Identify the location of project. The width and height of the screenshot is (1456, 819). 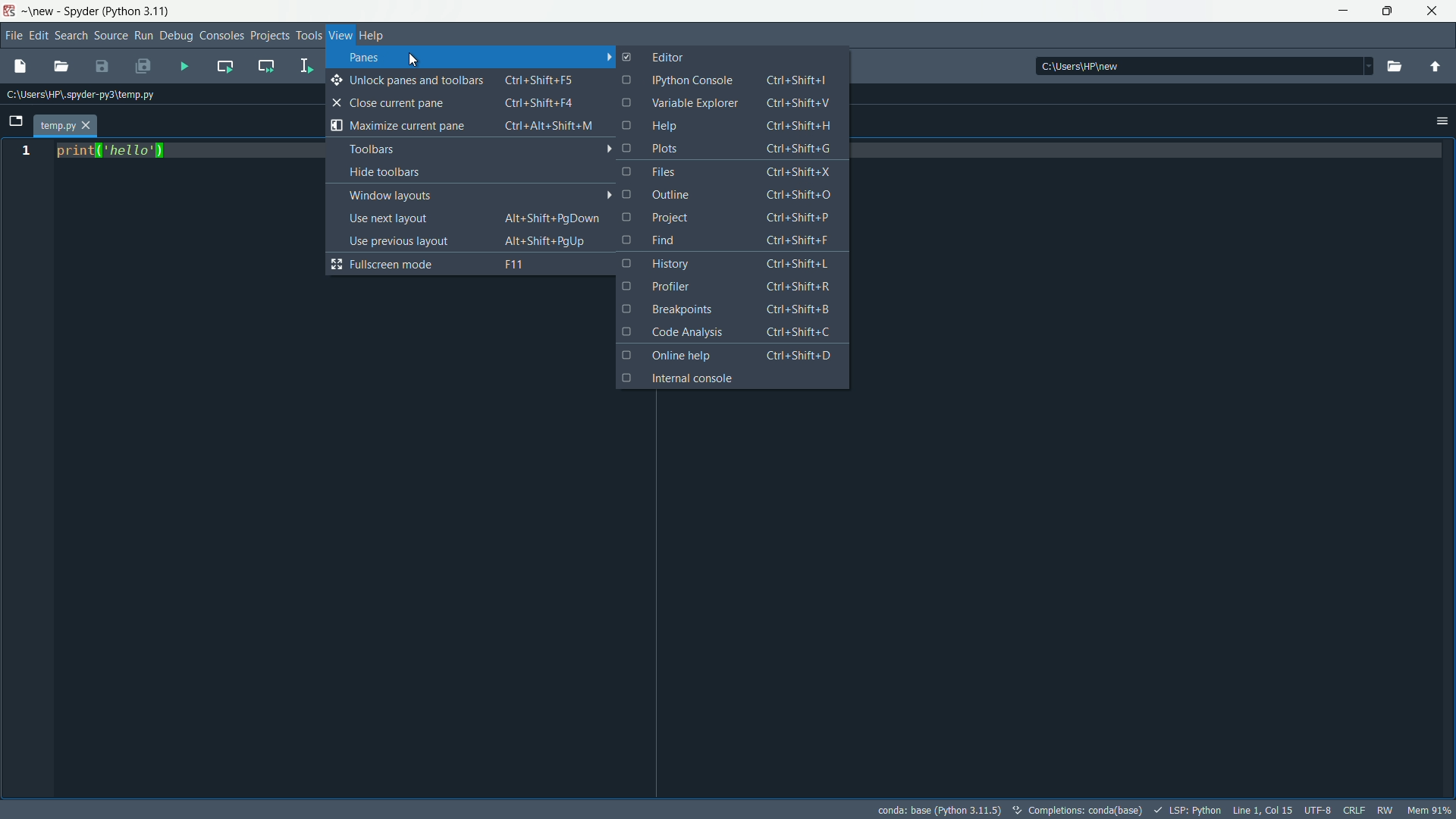
(728, 219).